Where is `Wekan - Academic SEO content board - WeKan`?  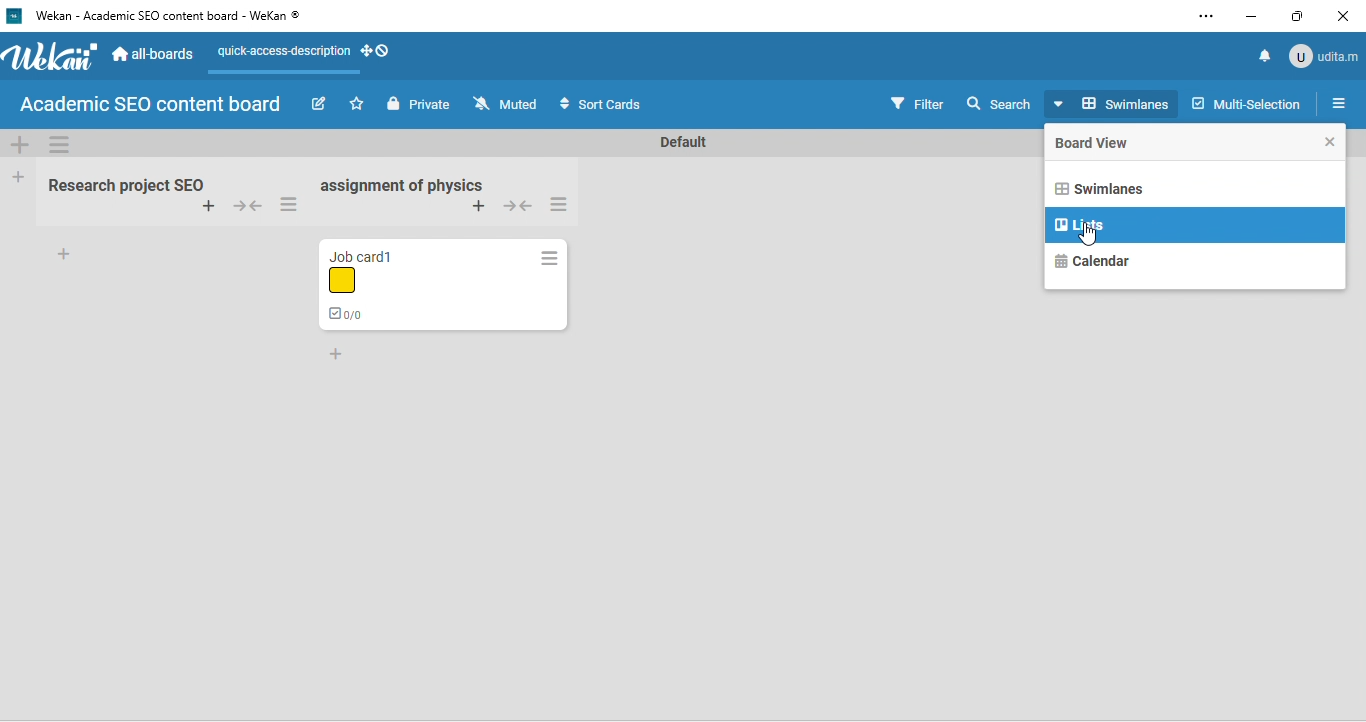 Wekan - Academic SEO content board - WeKan is located at coordinates (160, 17).